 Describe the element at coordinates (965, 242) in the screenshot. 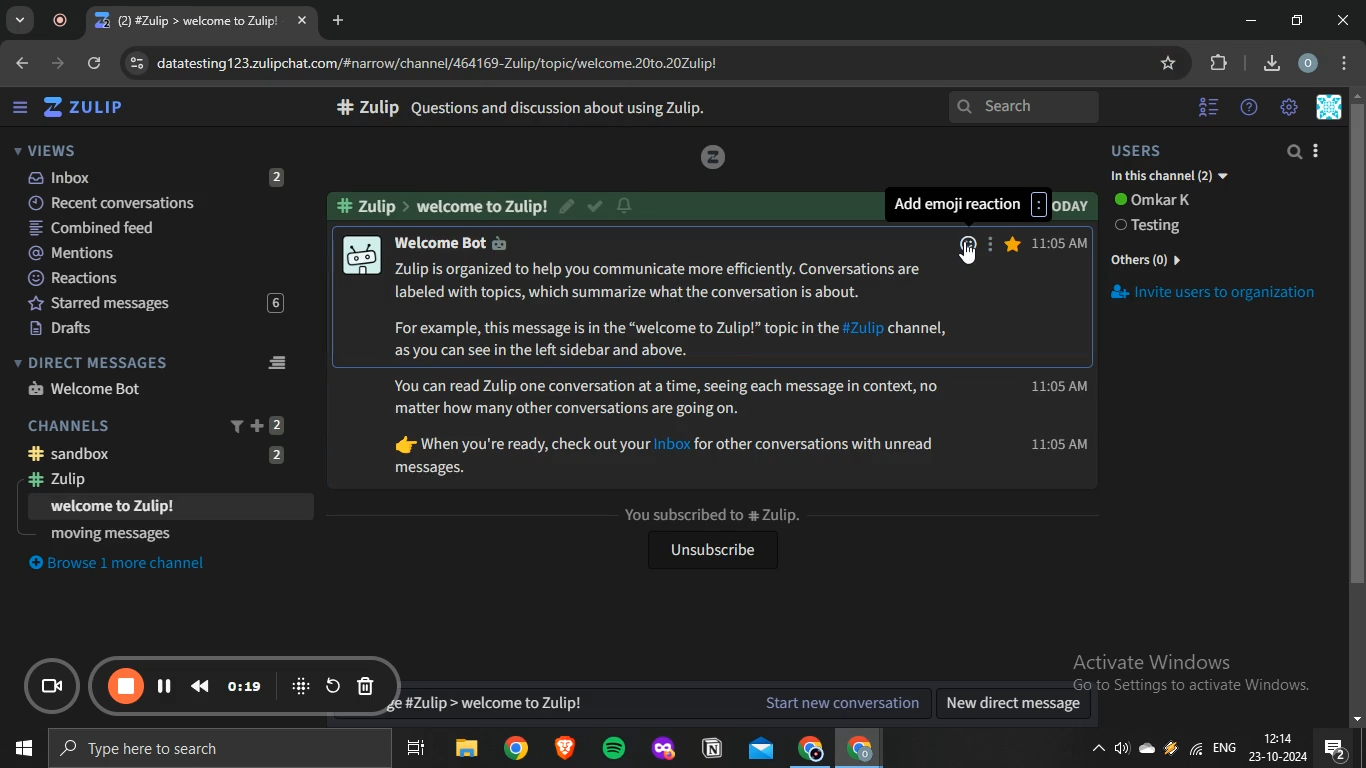

I see `add emoji reaction` at that location.